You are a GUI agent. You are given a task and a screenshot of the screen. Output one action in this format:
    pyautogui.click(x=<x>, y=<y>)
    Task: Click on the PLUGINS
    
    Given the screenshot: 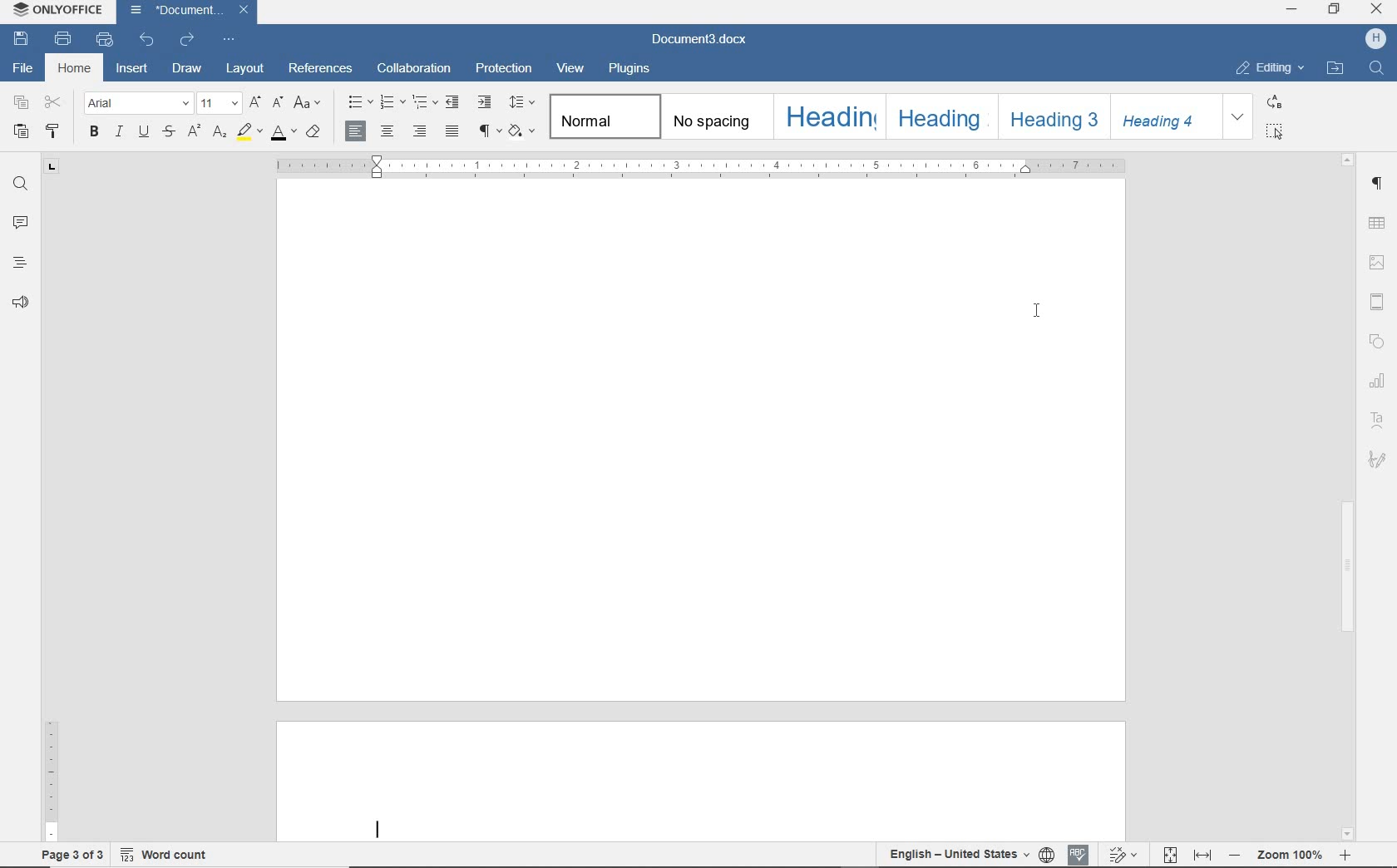 What is the action you would take?
    pyautogui.click(x=630, y=69)
    